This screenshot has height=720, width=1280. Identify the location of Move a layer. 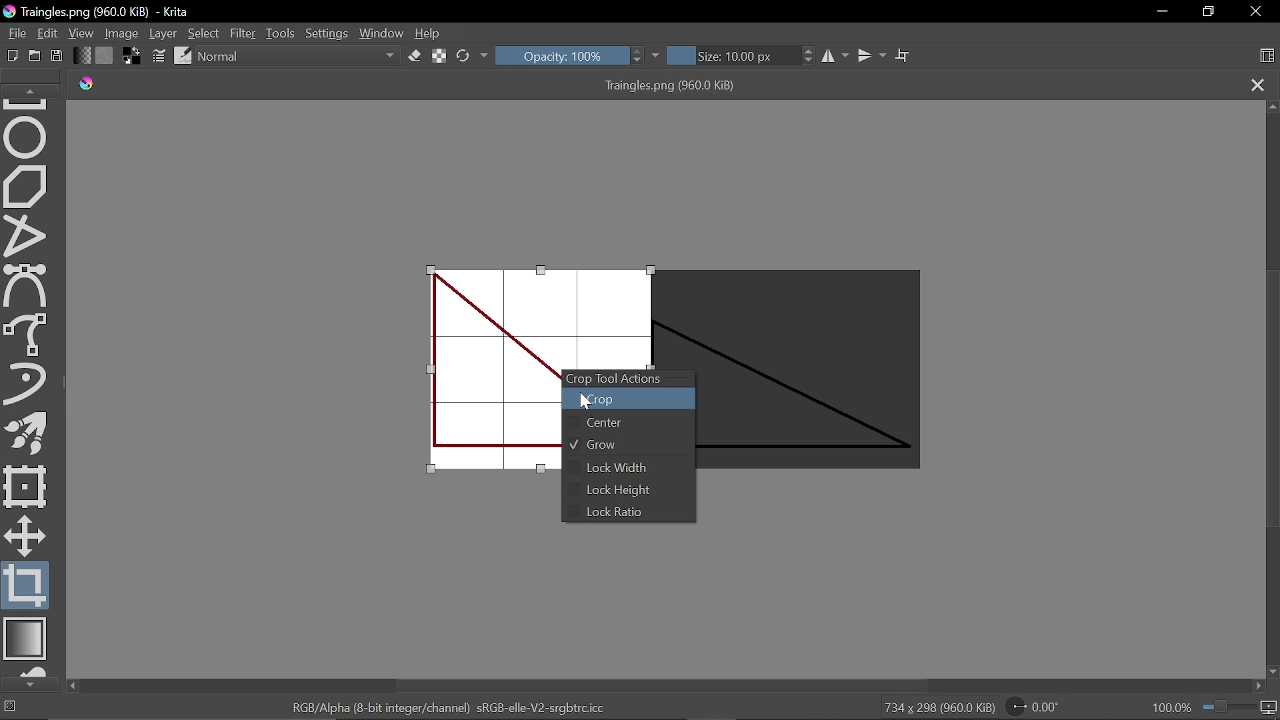
(23, 534).